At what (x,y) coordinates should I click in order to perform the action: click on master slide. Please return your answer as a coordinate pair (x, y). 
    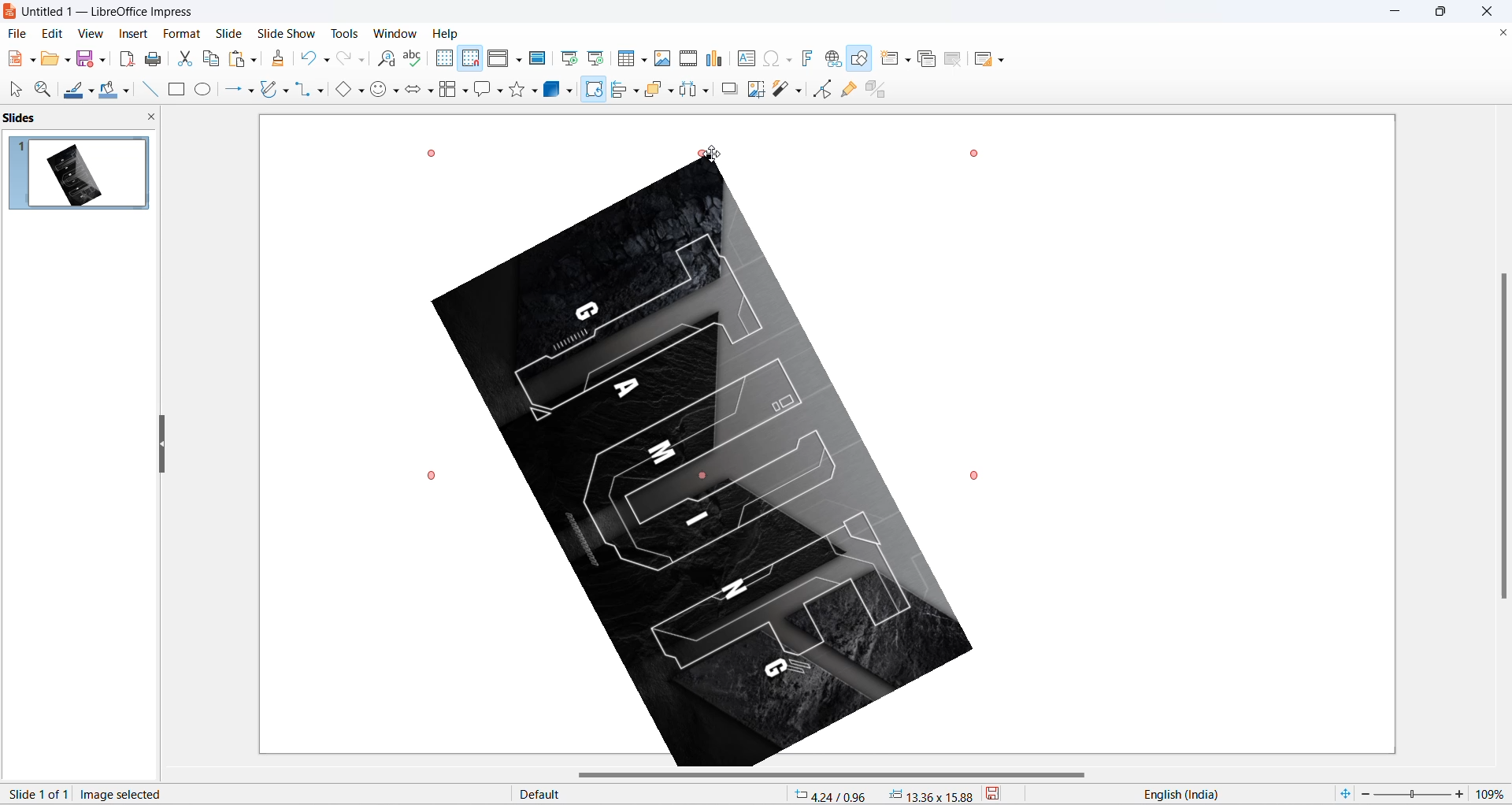
    Looking at the image, I should click on (539, 57).